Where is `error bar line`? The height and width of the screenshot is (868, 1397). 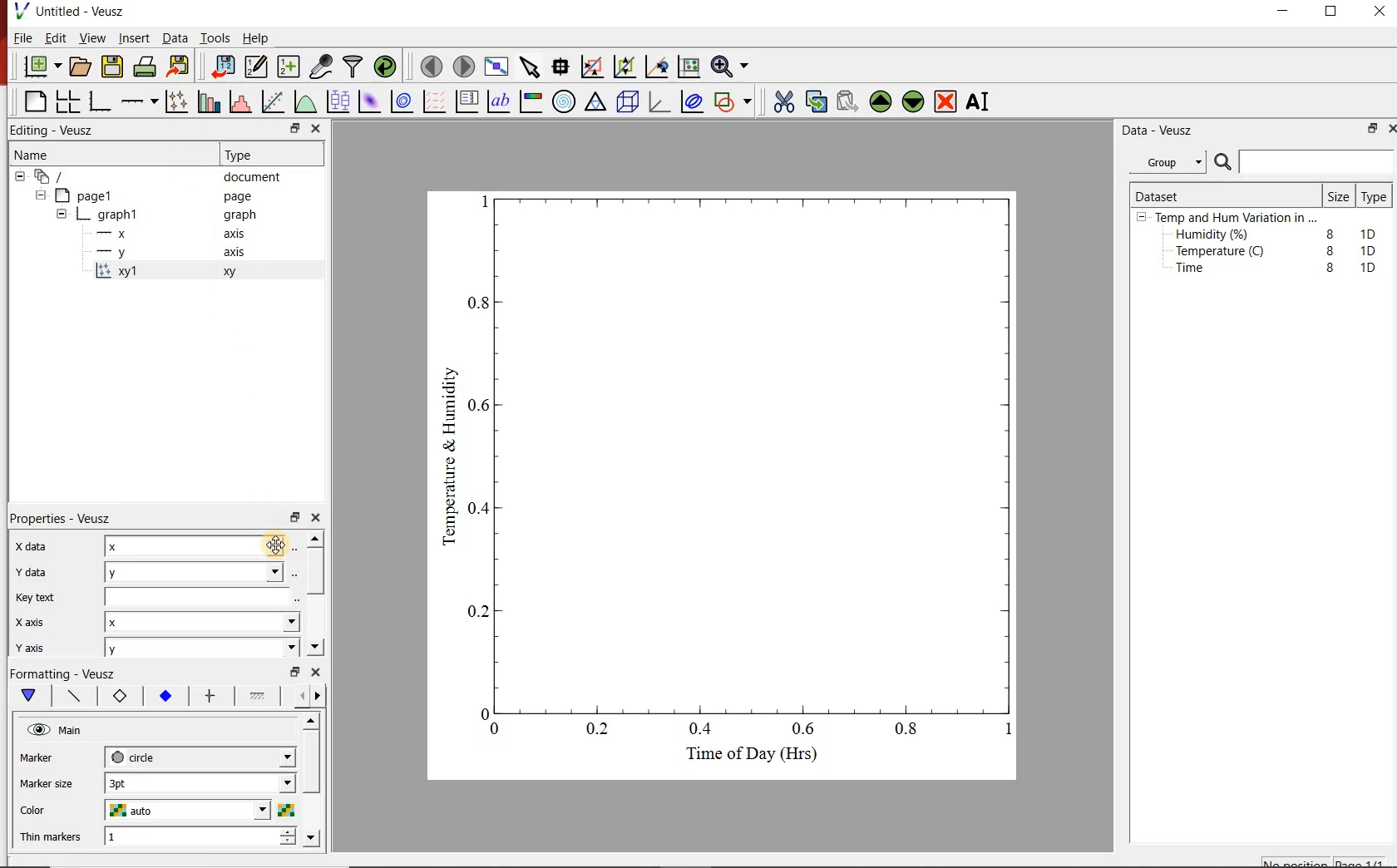
error bar line is located at coordinates (210, 695).